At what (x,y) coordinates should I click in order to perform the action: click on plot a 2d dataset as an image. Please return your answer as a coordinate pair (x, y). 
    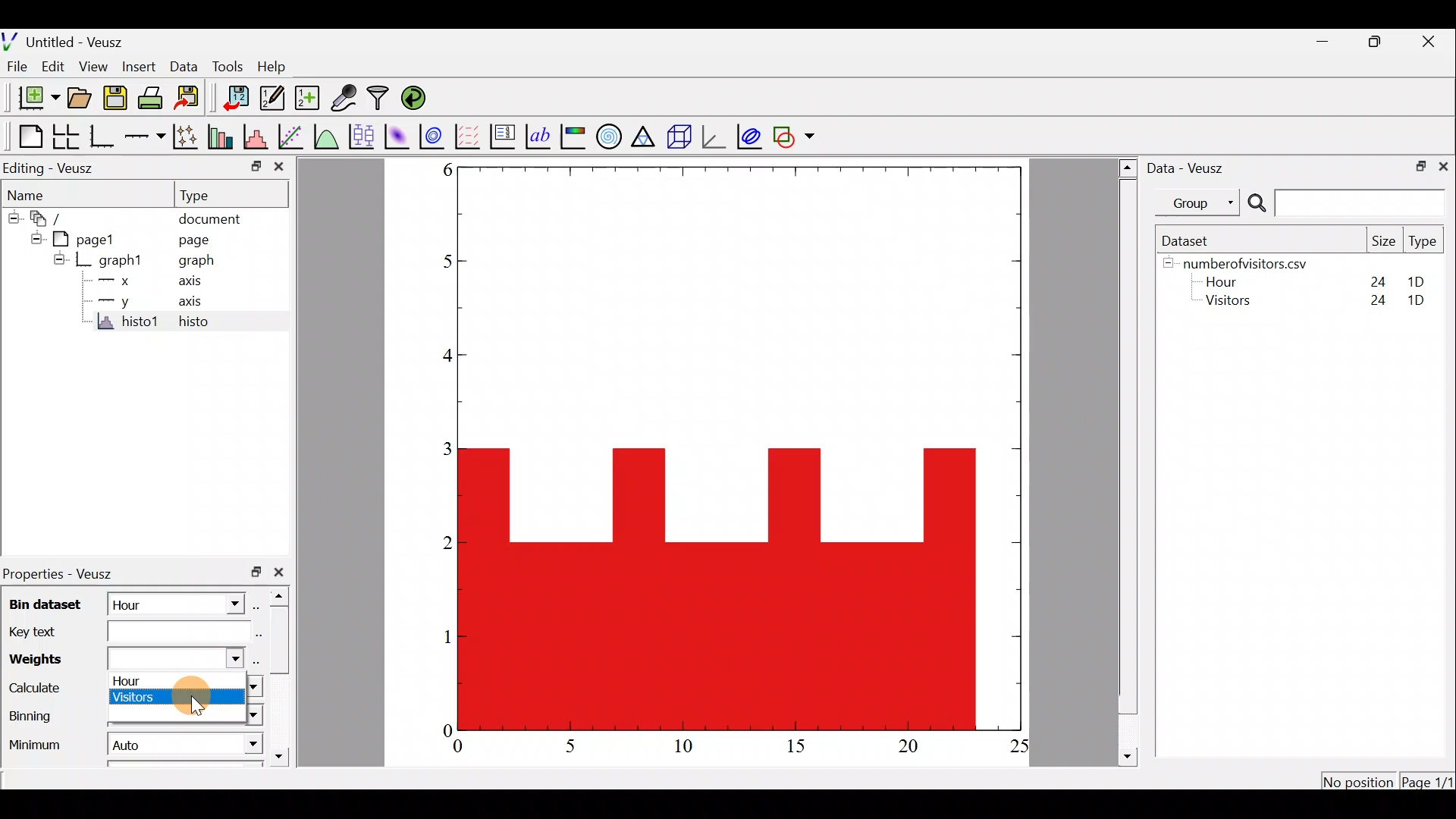
    Looking at the image, I should click on (399, 135).